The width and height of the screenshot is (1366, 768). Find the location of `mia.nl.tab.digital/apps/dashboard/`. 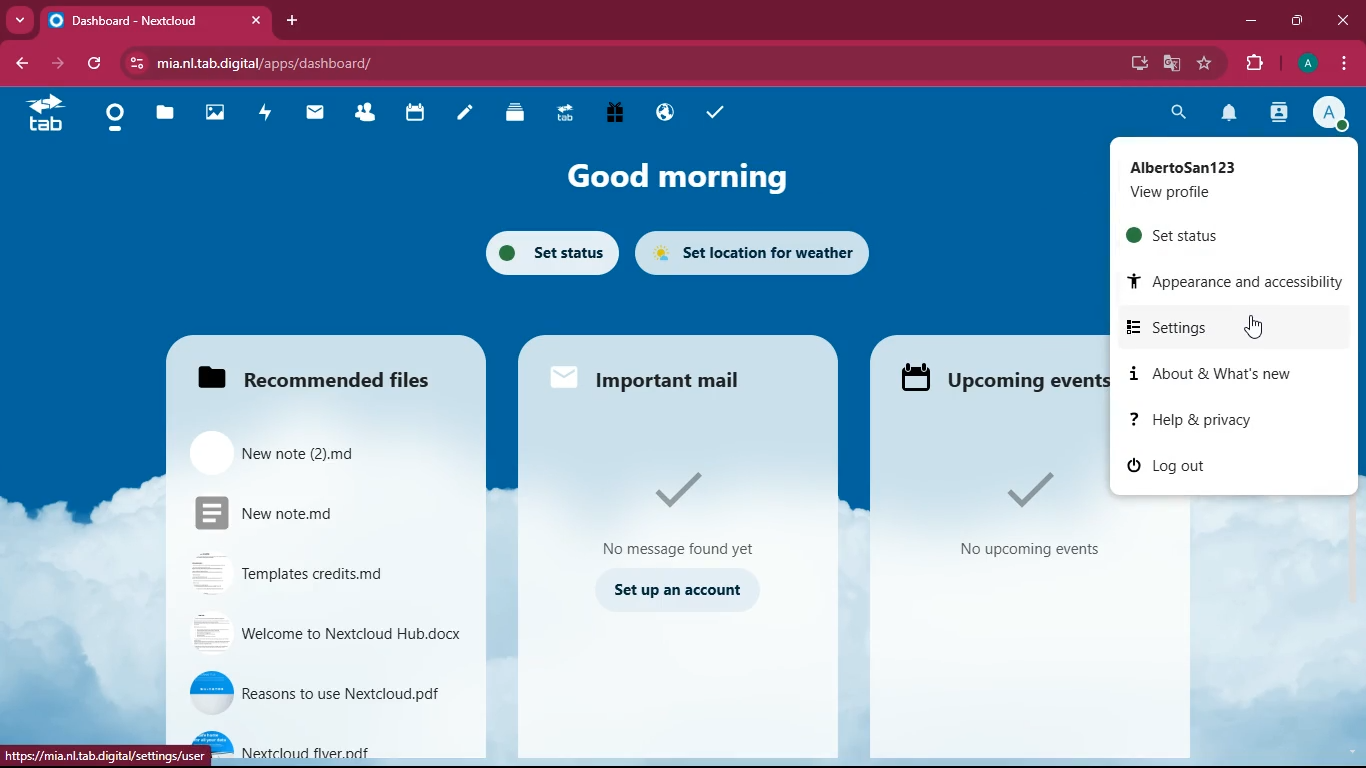

mia.nl.tab.digital/apps/dashboard/ is located at coordinates (283, 63).